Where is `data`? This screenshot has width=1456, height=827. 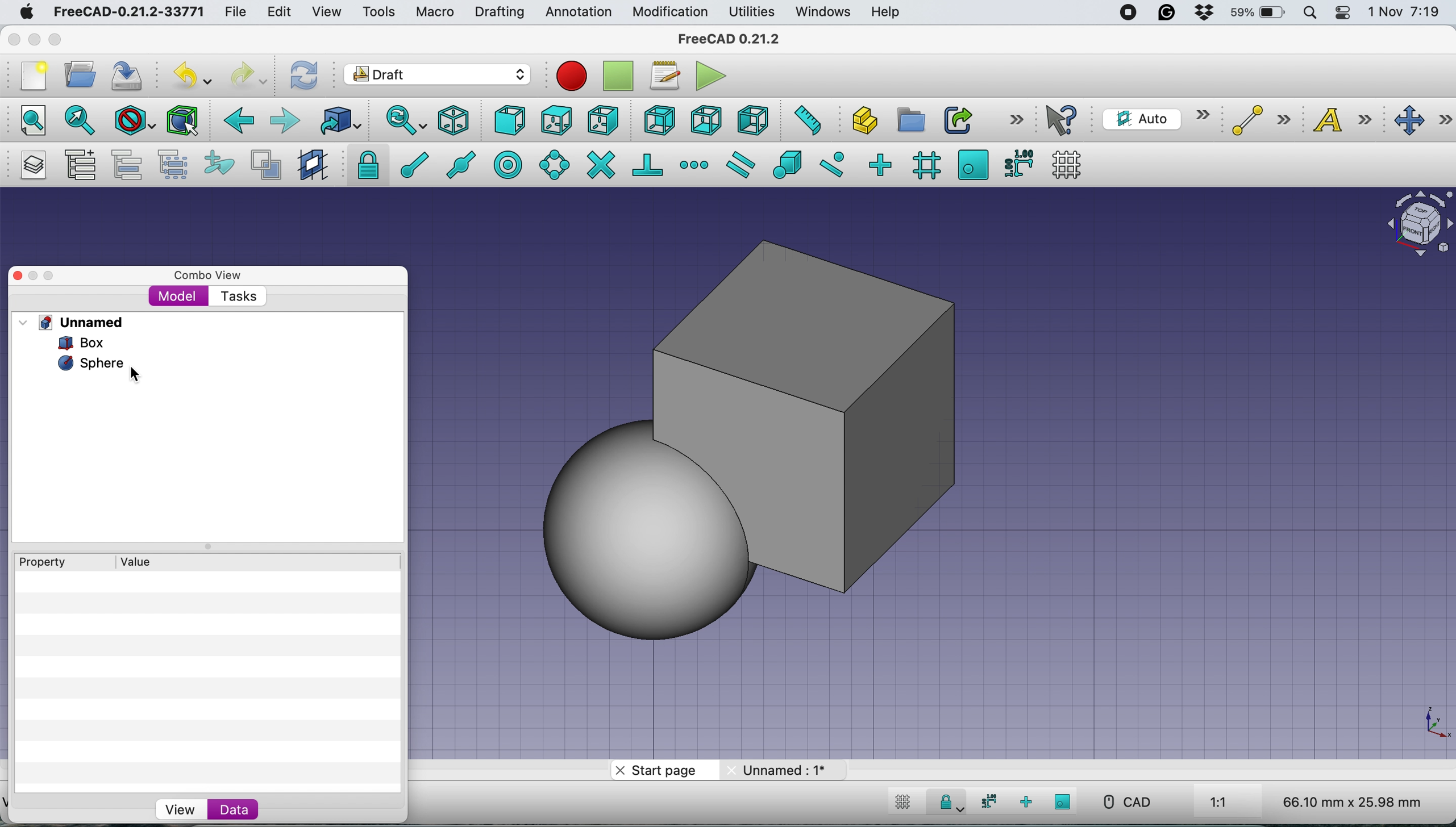
data is located at coordinates (233, 809).